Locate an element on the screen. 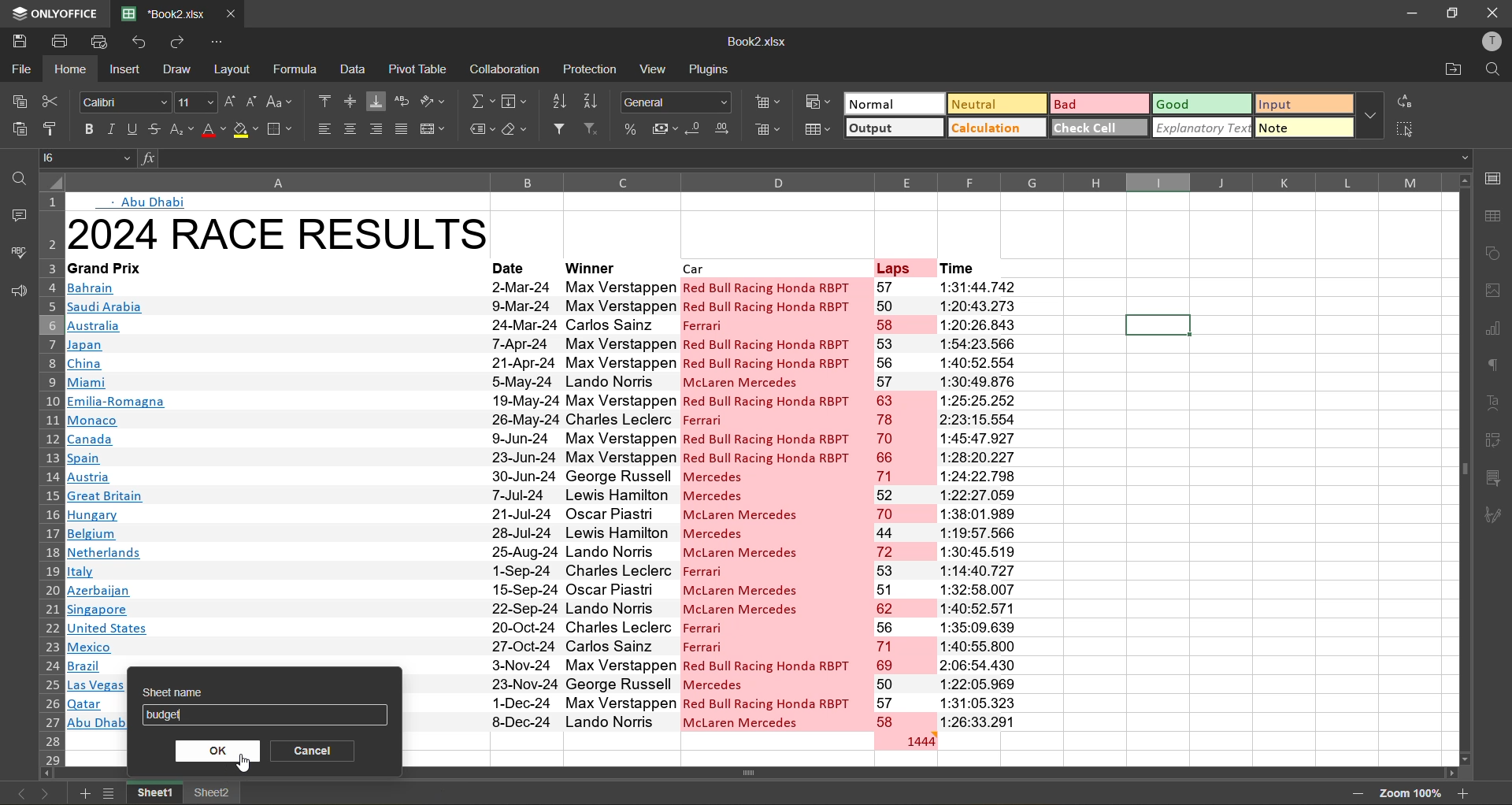 The height and width of the screenshot is (805, 1512). comments is located at coordinates (17, 217).